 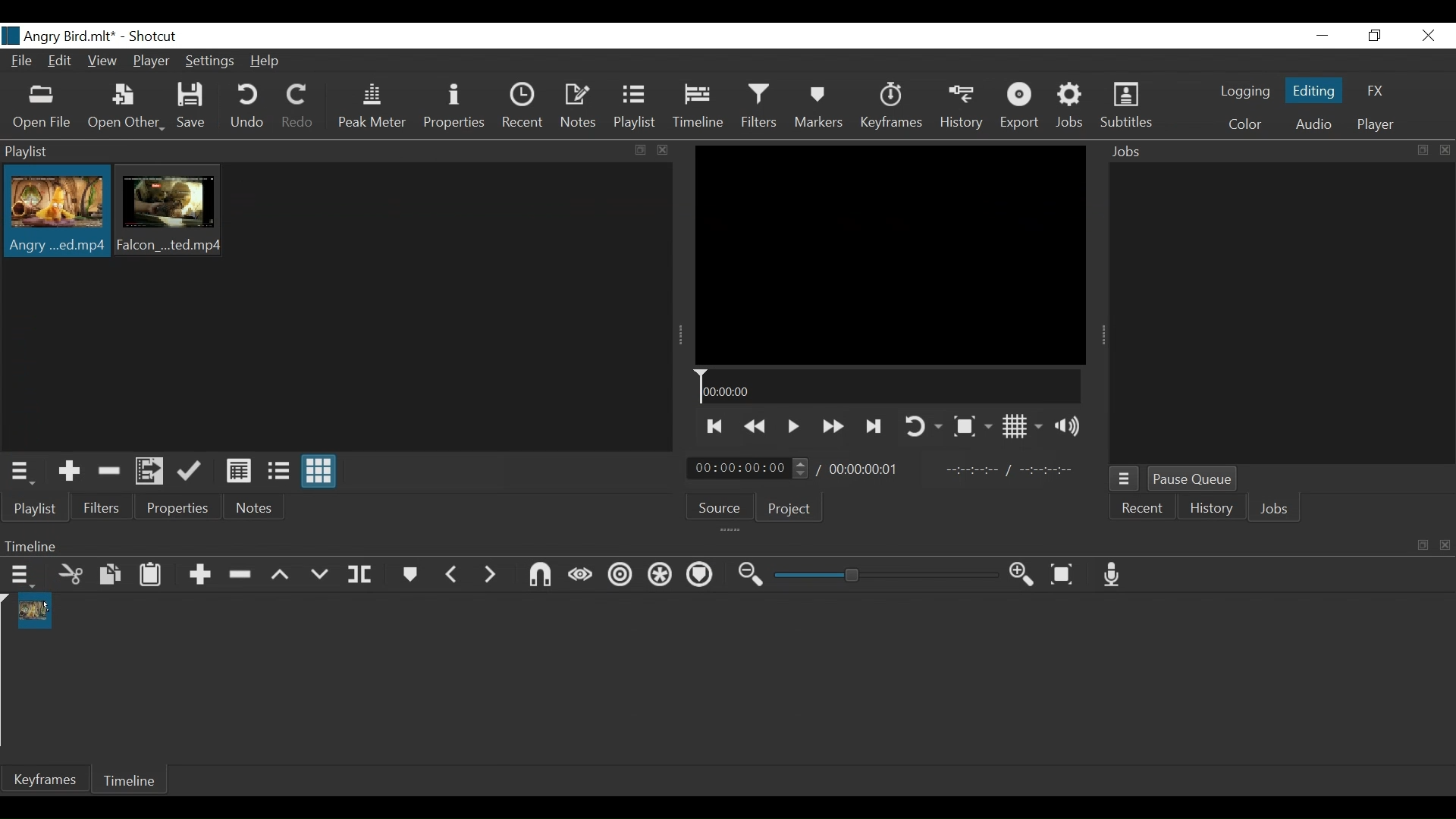 What do you see at coordinates (1376, 124) in the screenshot?
I see `Player` at bounding box center [1376, 124].